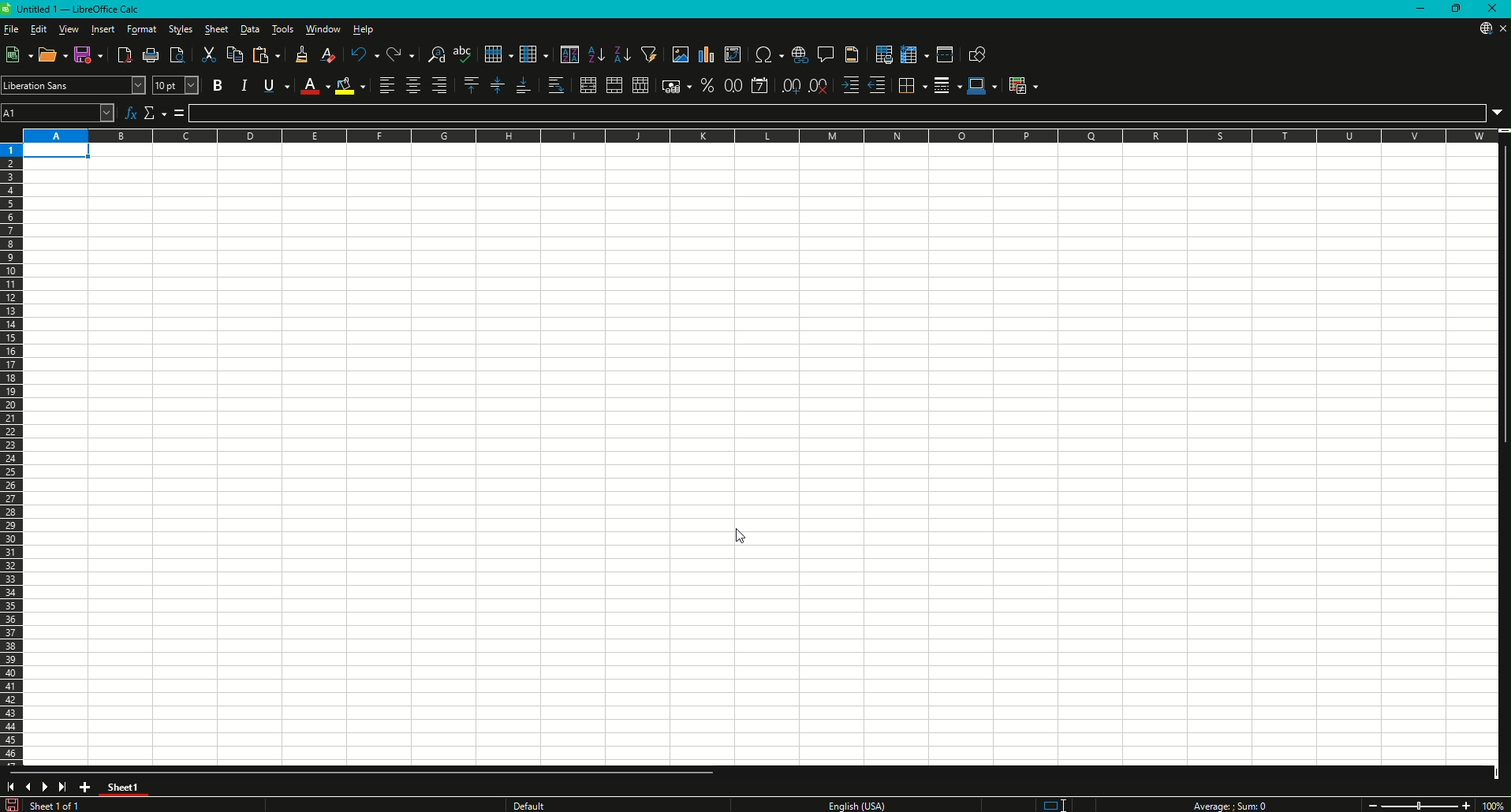  Describe the element at coordinates (768, 54) in the screenshot. I see `Insert Special Characters` at that location.